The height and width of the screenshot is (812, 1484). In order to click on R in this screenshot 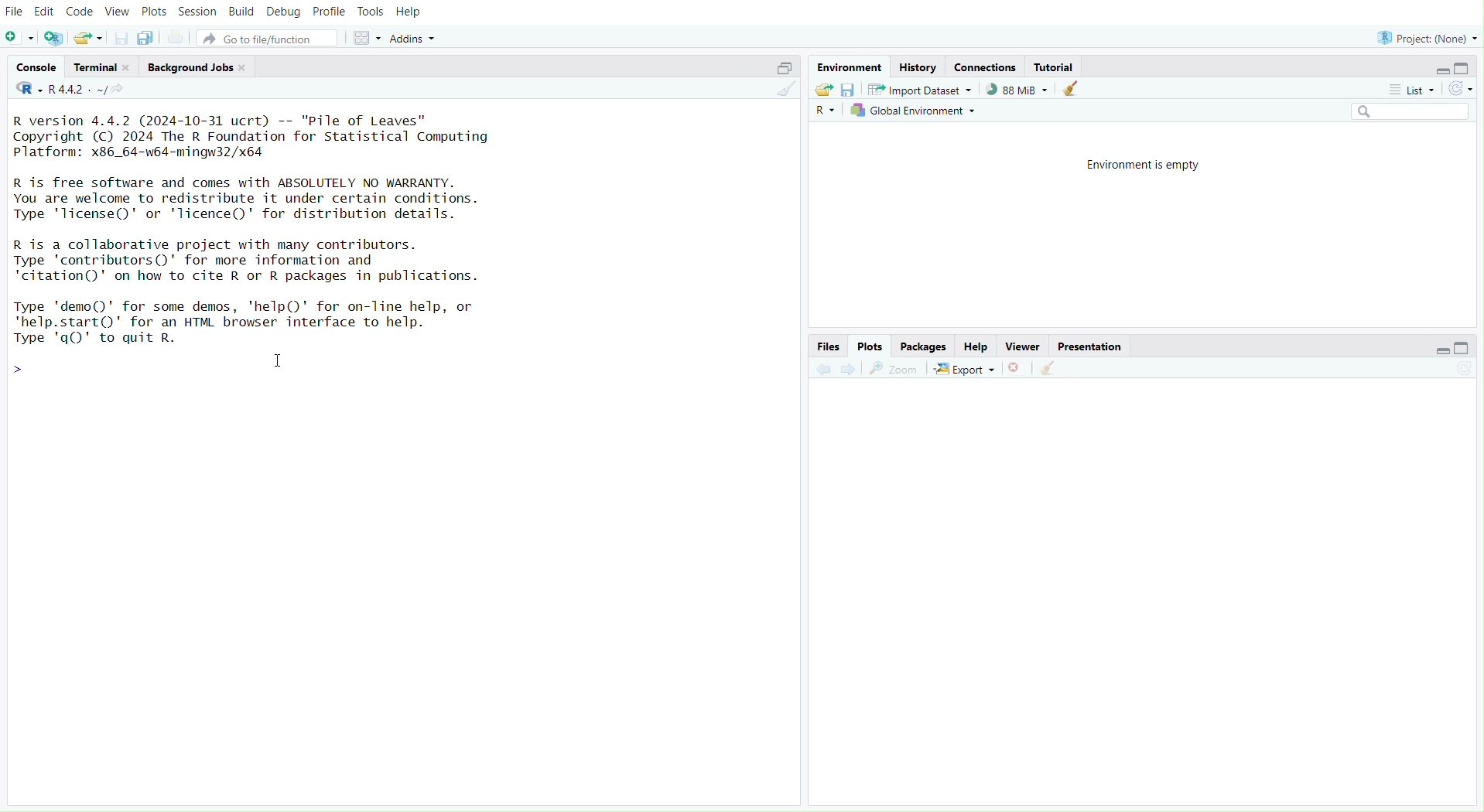, I will do `click(826, 111)`.